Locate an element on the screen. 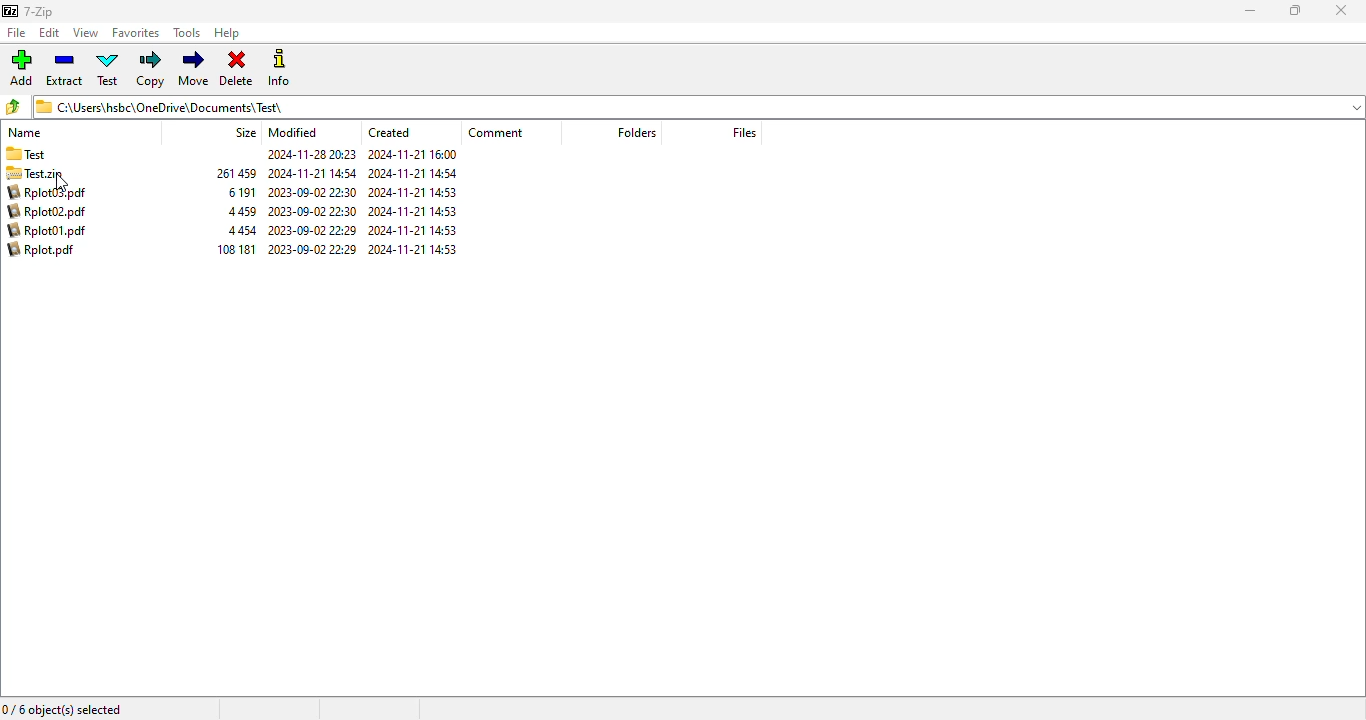 The width and height of the screenshot is (1366, 720). created is located at coordinates (389, 132).